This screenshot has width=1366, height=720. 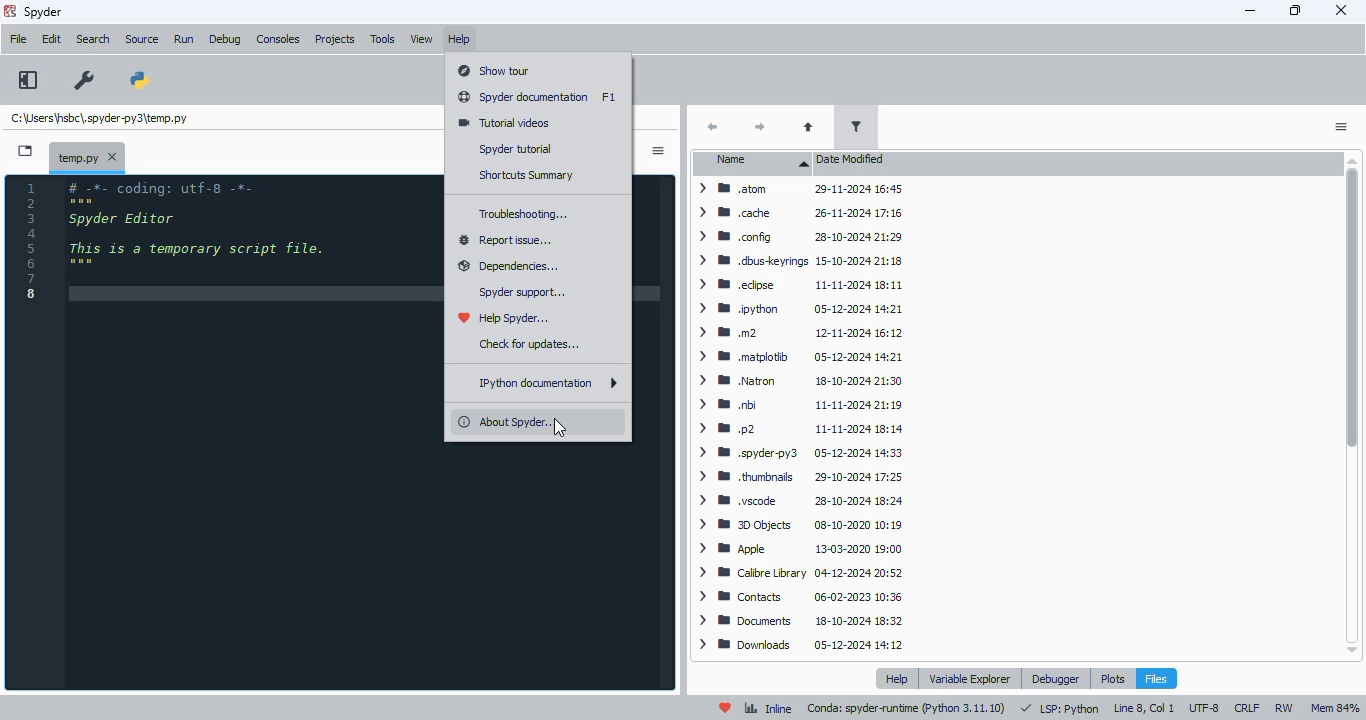 I want to click on close, so click(x=114, y=157).